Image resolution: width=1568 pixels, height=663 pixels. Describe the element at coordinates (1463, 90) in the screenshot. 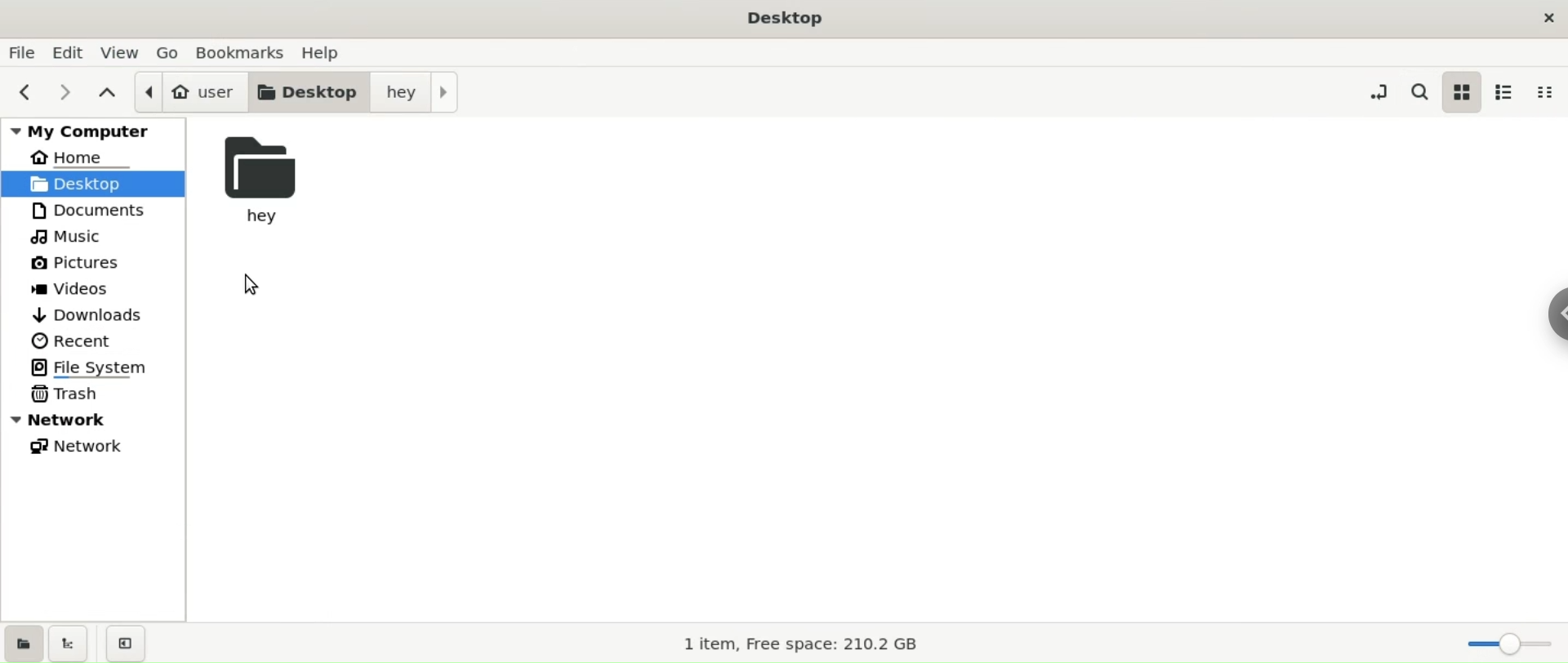

I see `icon view` at that location.